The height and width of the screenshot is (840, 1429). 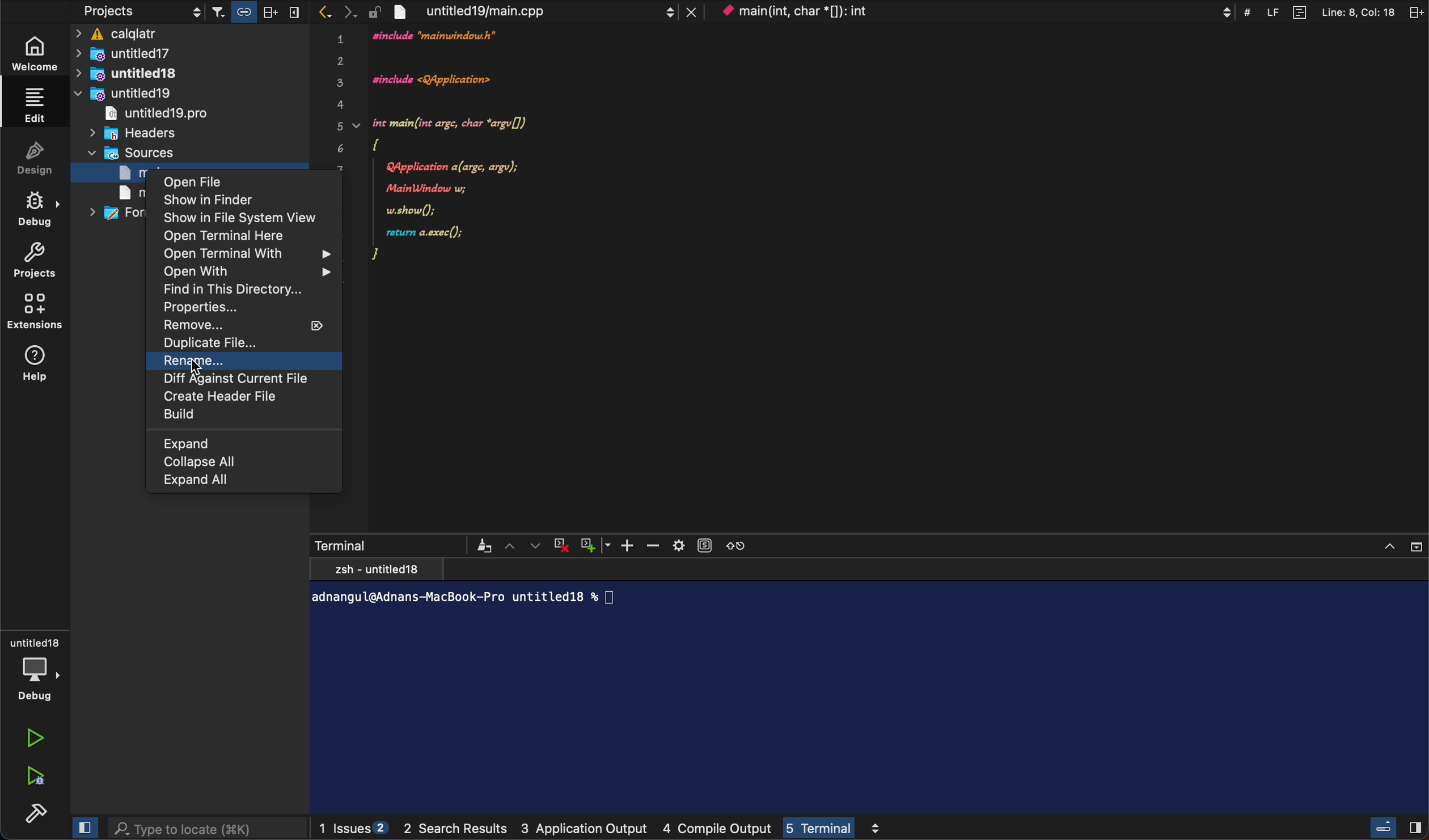 What do you see at coordinates (208, 829) in the screenshot?
I see `search bar` at bounding box center [208, 829].